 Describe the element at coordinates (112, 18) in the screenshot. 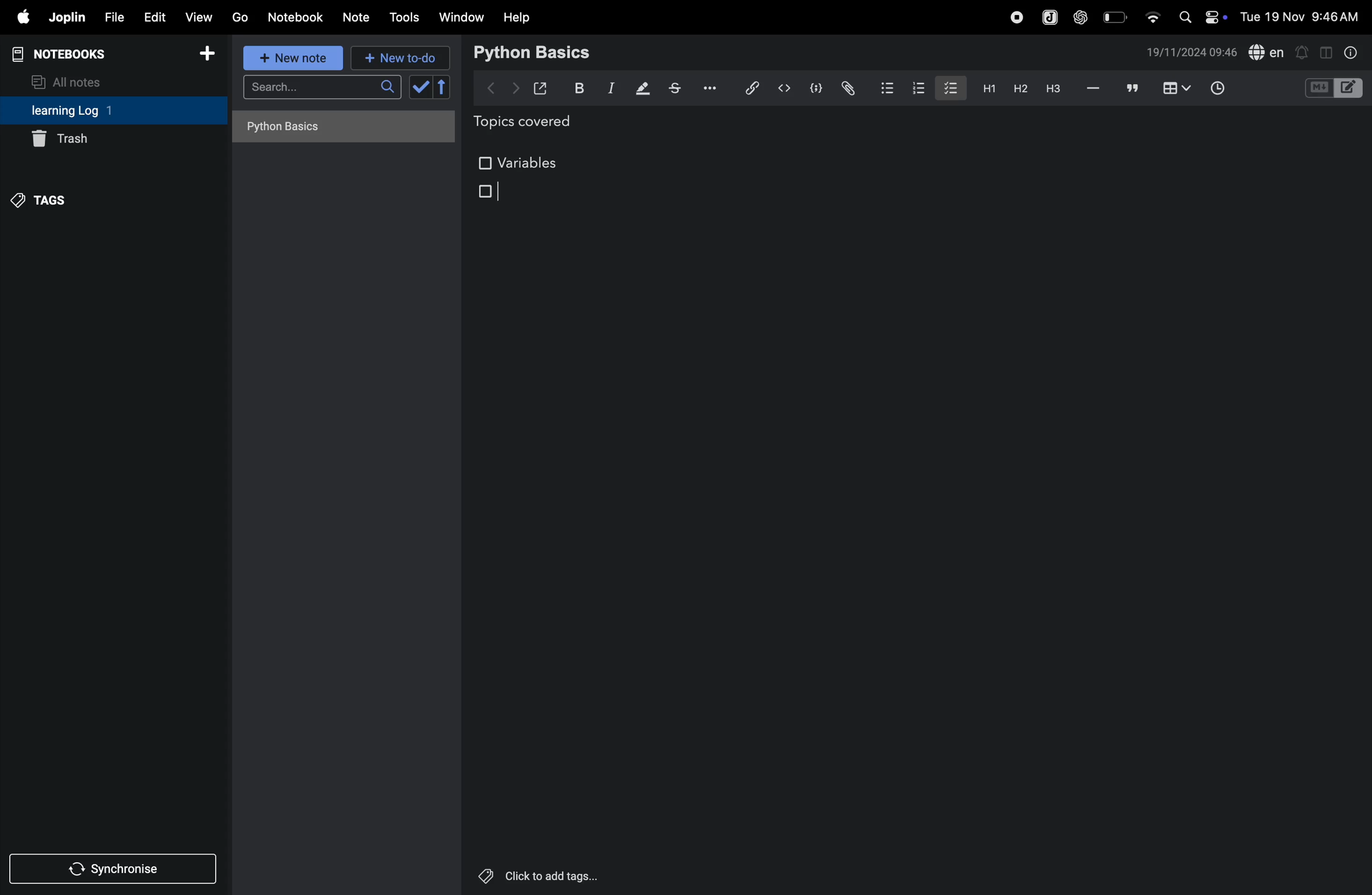

I see `file` at that location.